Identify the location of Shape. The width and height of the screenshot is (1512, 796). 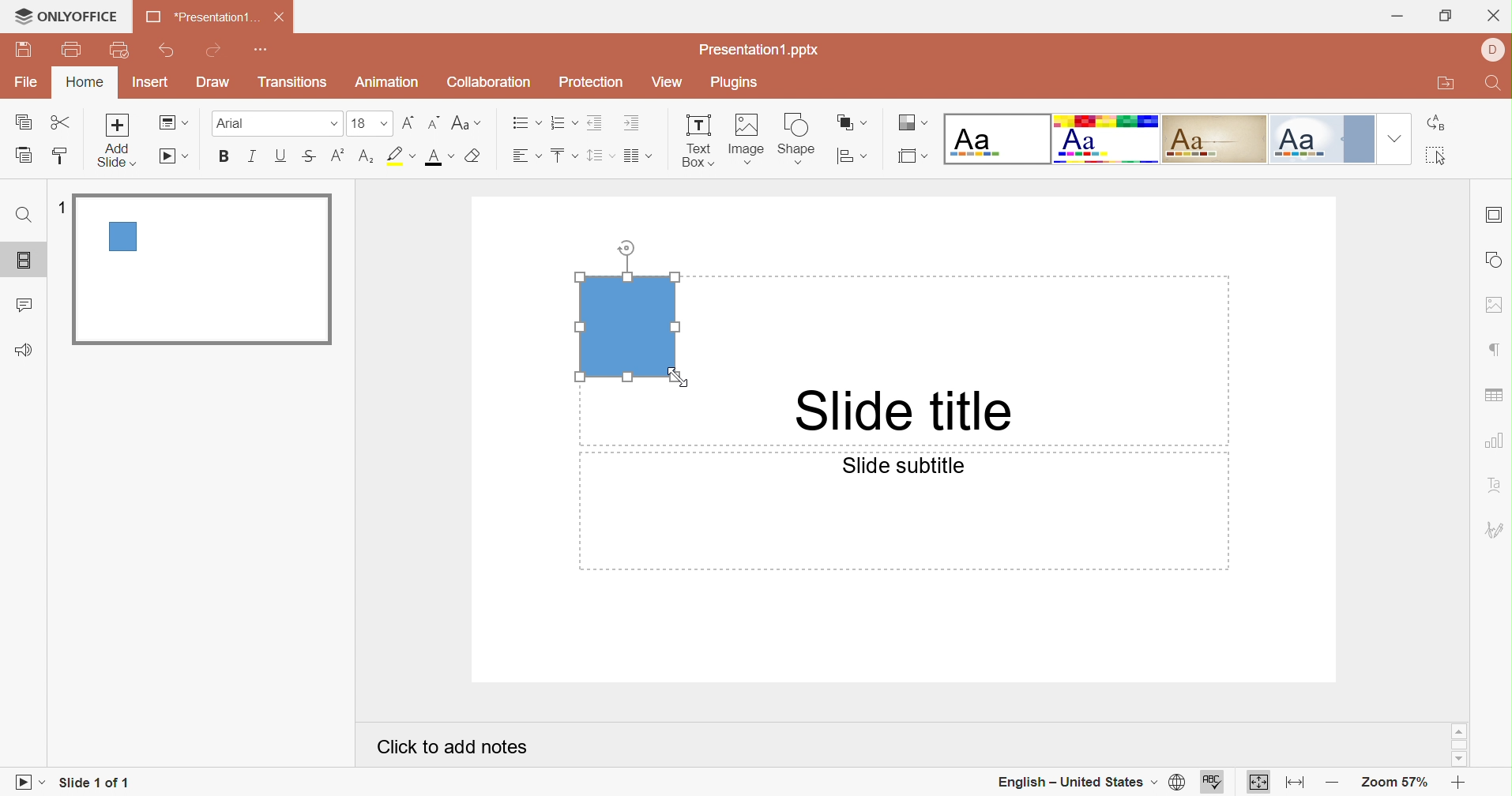
(795, 141).